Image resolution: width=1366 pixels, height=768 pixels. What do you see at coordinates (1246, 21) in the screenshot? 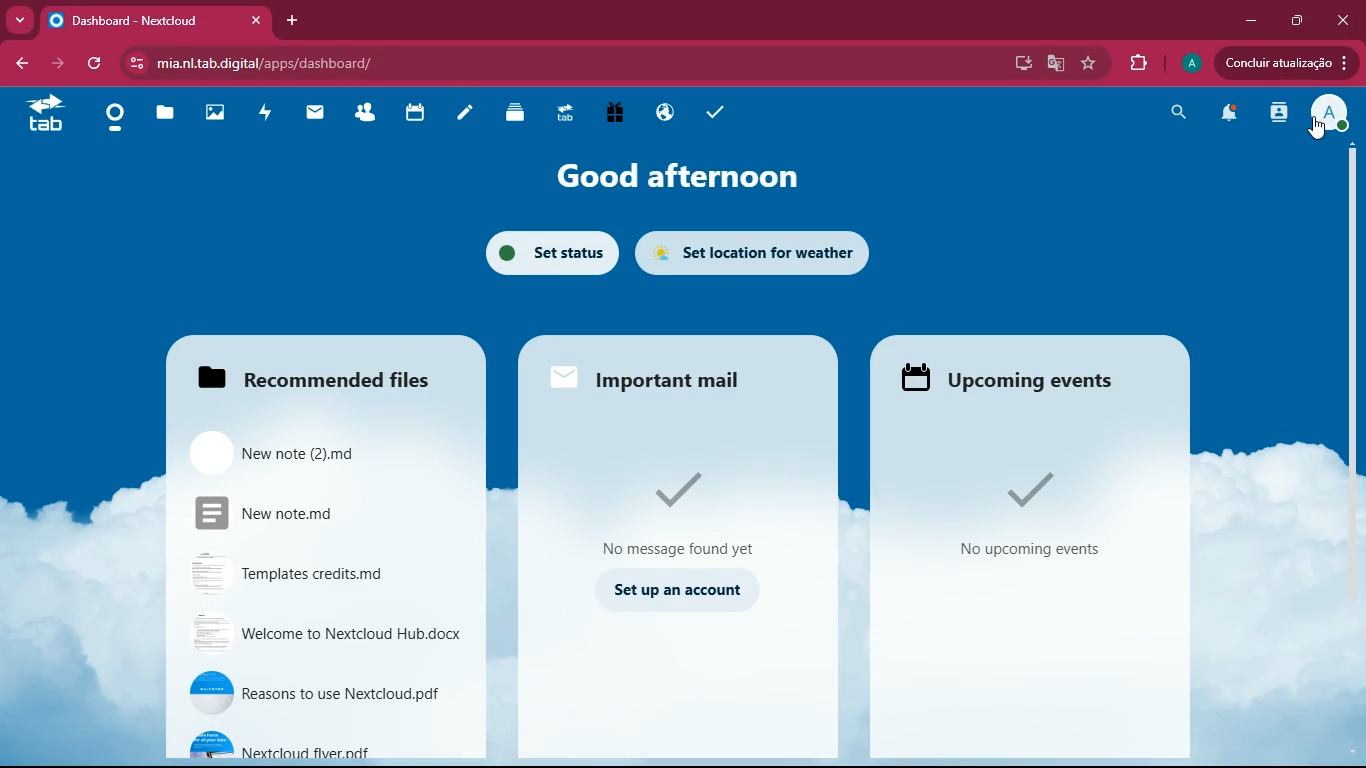
I see `minimize` at bounding box center [1246, 21].